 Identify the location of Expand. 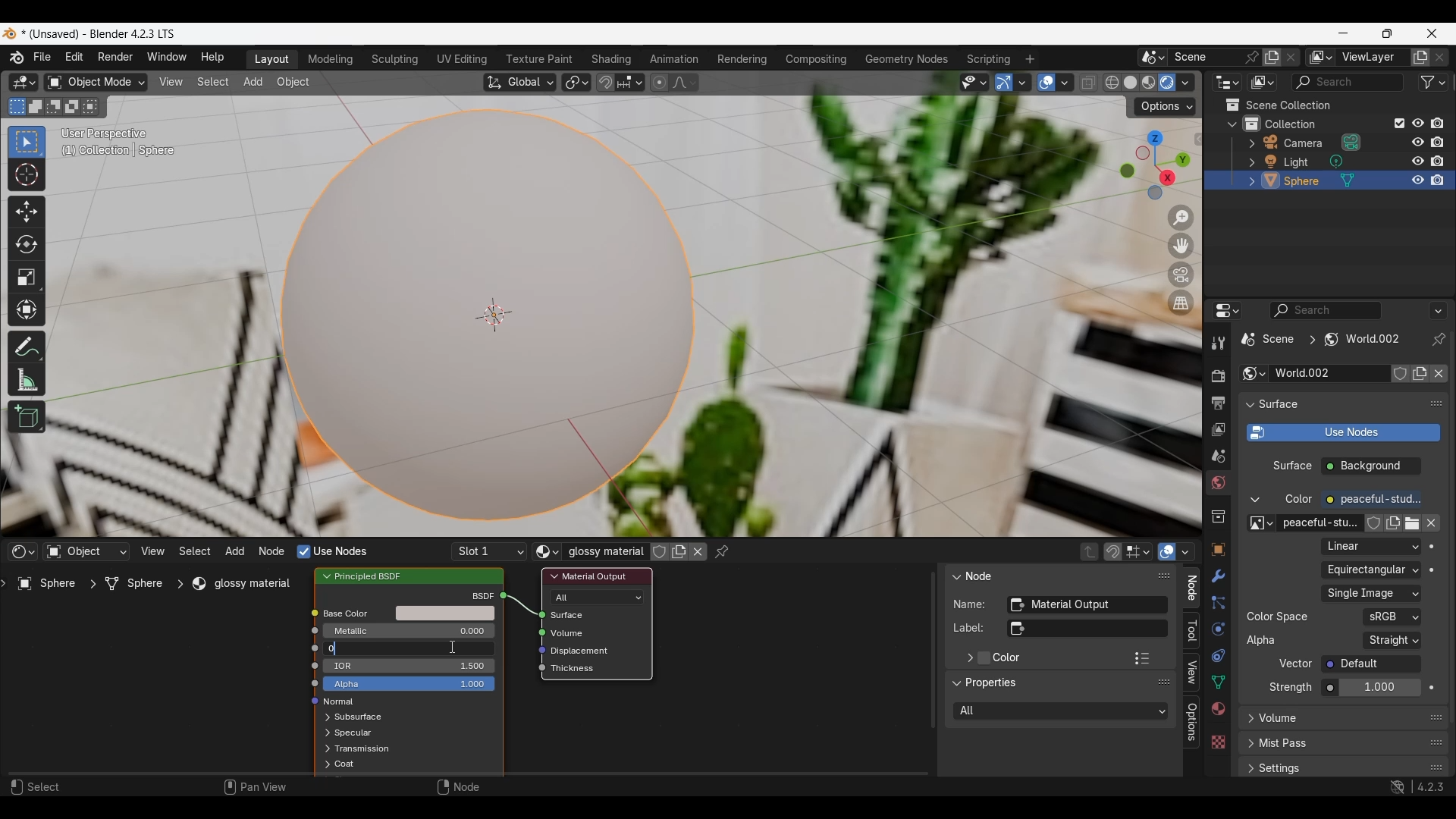
(968, 657).